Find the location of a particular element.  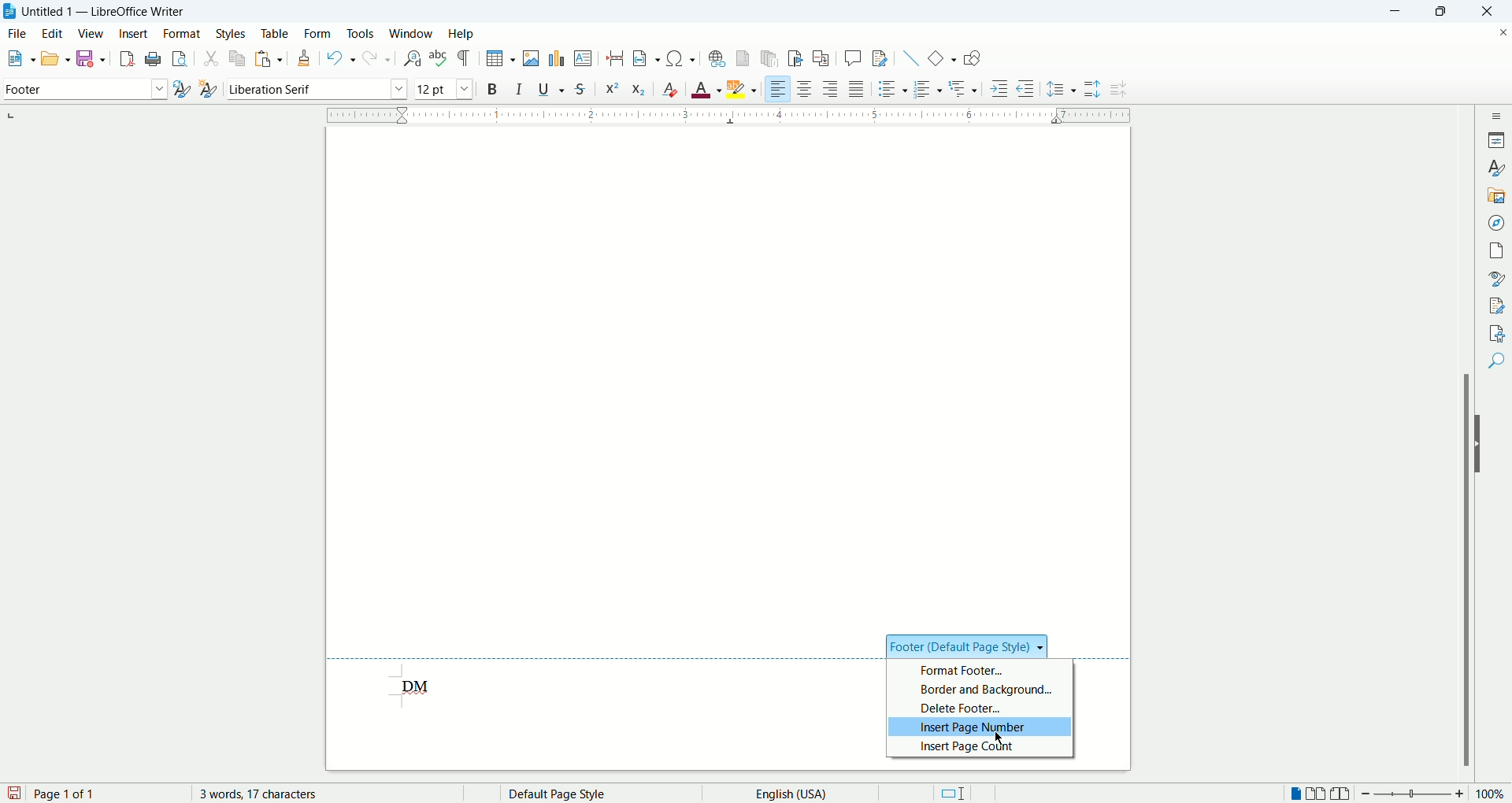

minimize is located at coordinates (1400, 10).